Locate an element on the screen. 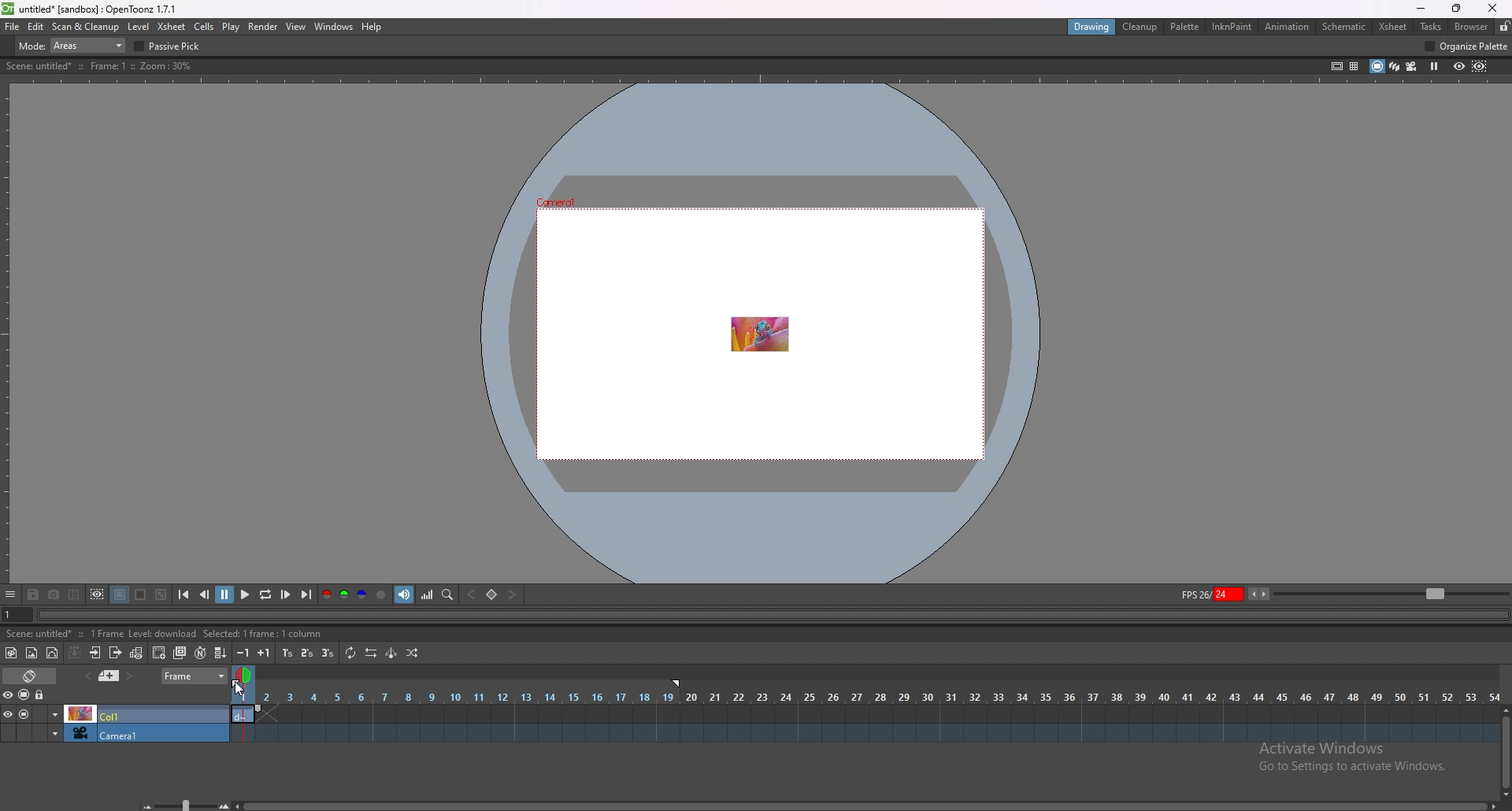 The width and height of the screenshot is (1512, 811). white background is located at coordinates (142, 595).